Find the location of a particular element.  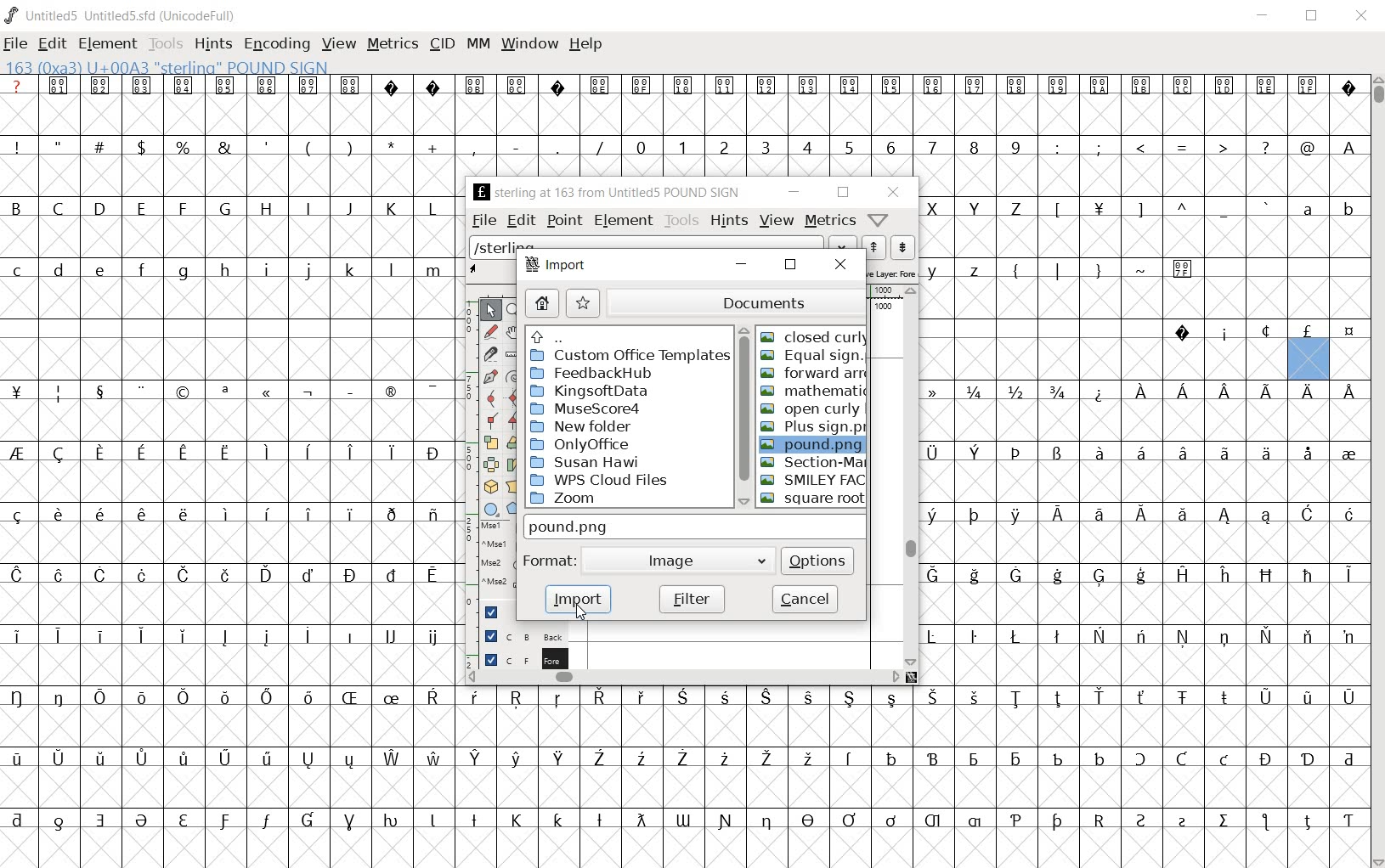

, is located at coordinates (474, 149).